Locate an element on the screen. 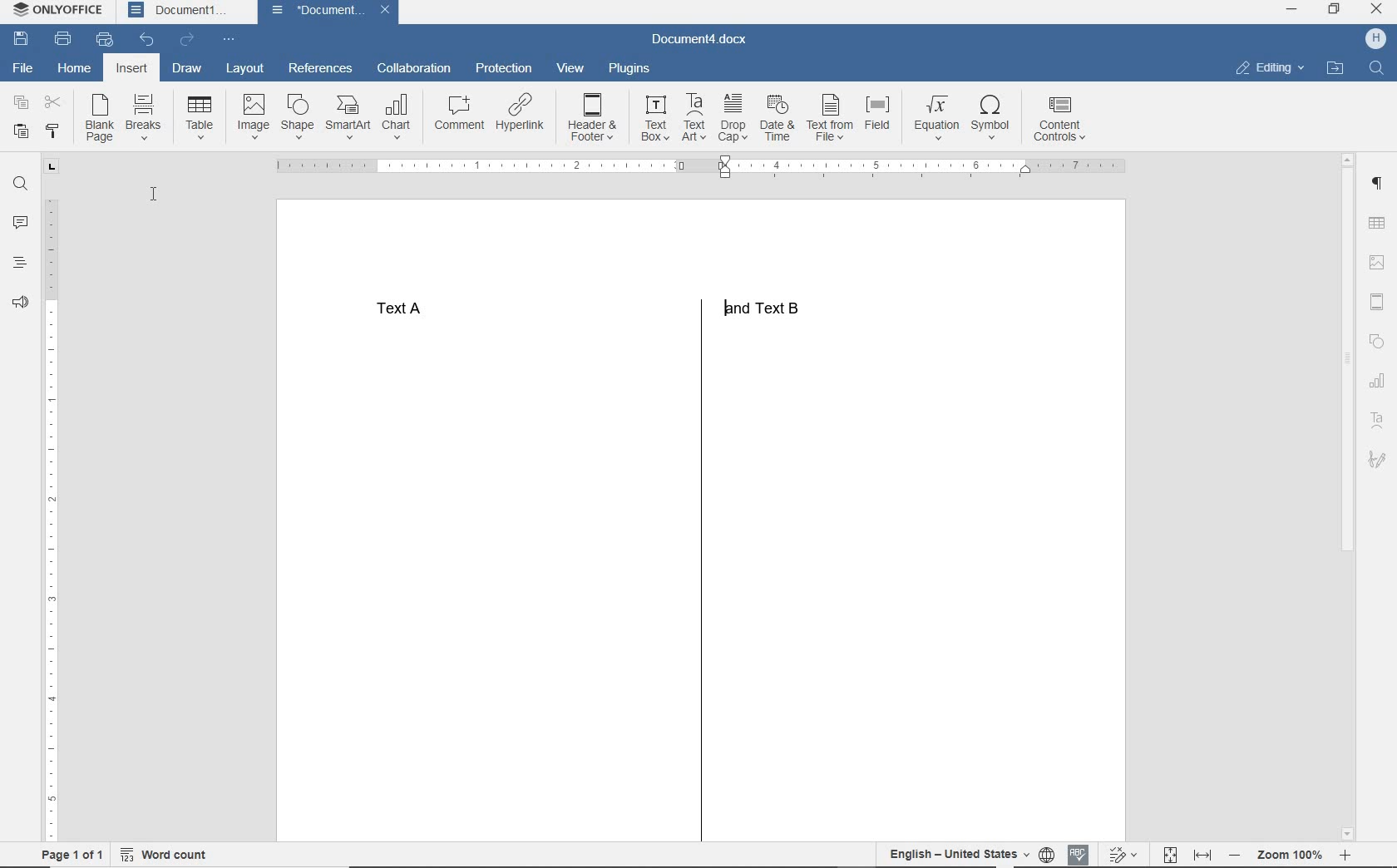  TEXT ART is located at coordinates (1377, 419).